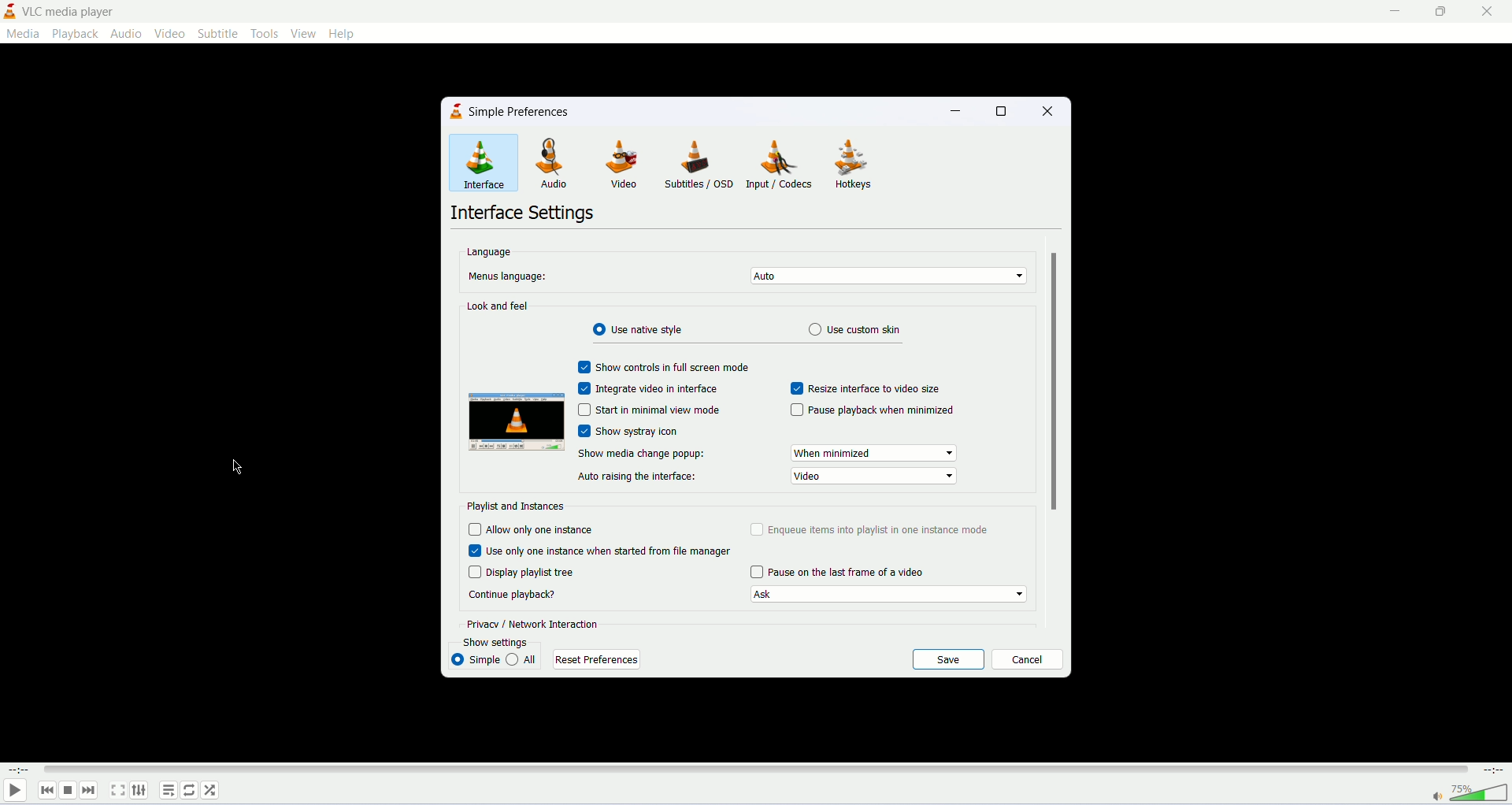 The image size is (1512, 805). Describe the element at coordinates (1443, 12) in the screenshot. I see `maximize` at that location.